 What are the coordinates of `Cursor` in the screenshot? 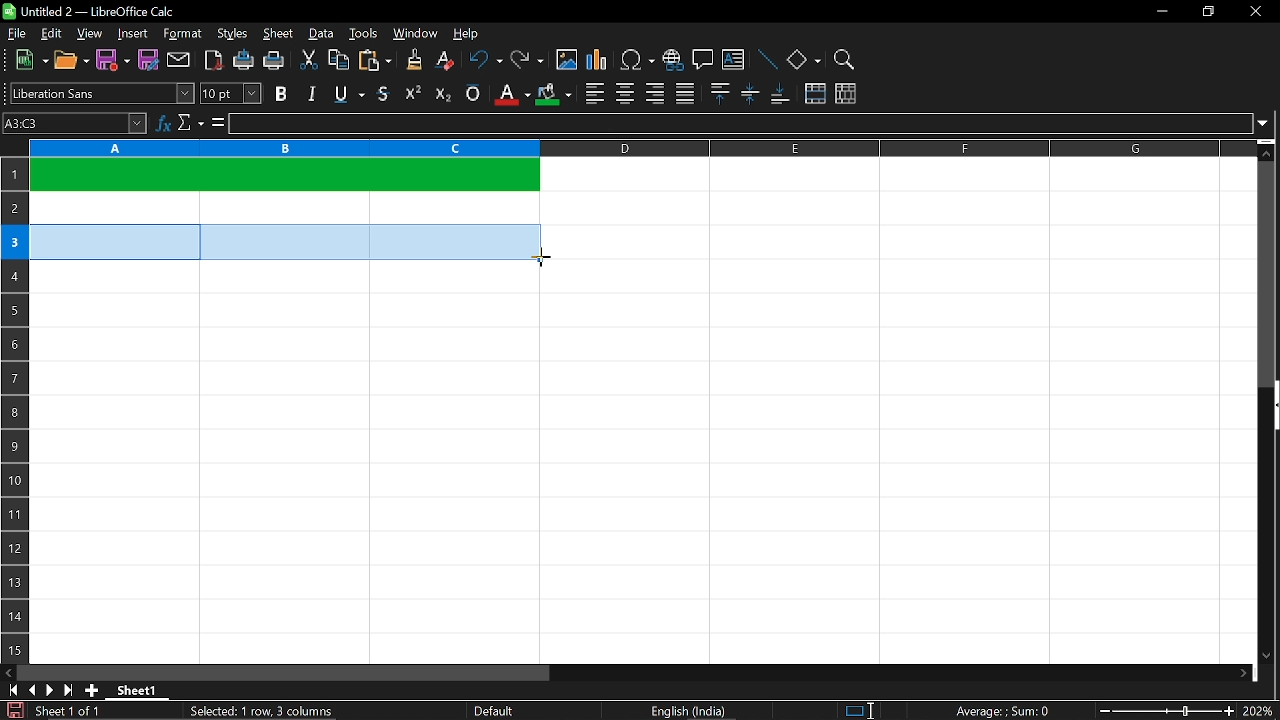 It's located at (541, 258).